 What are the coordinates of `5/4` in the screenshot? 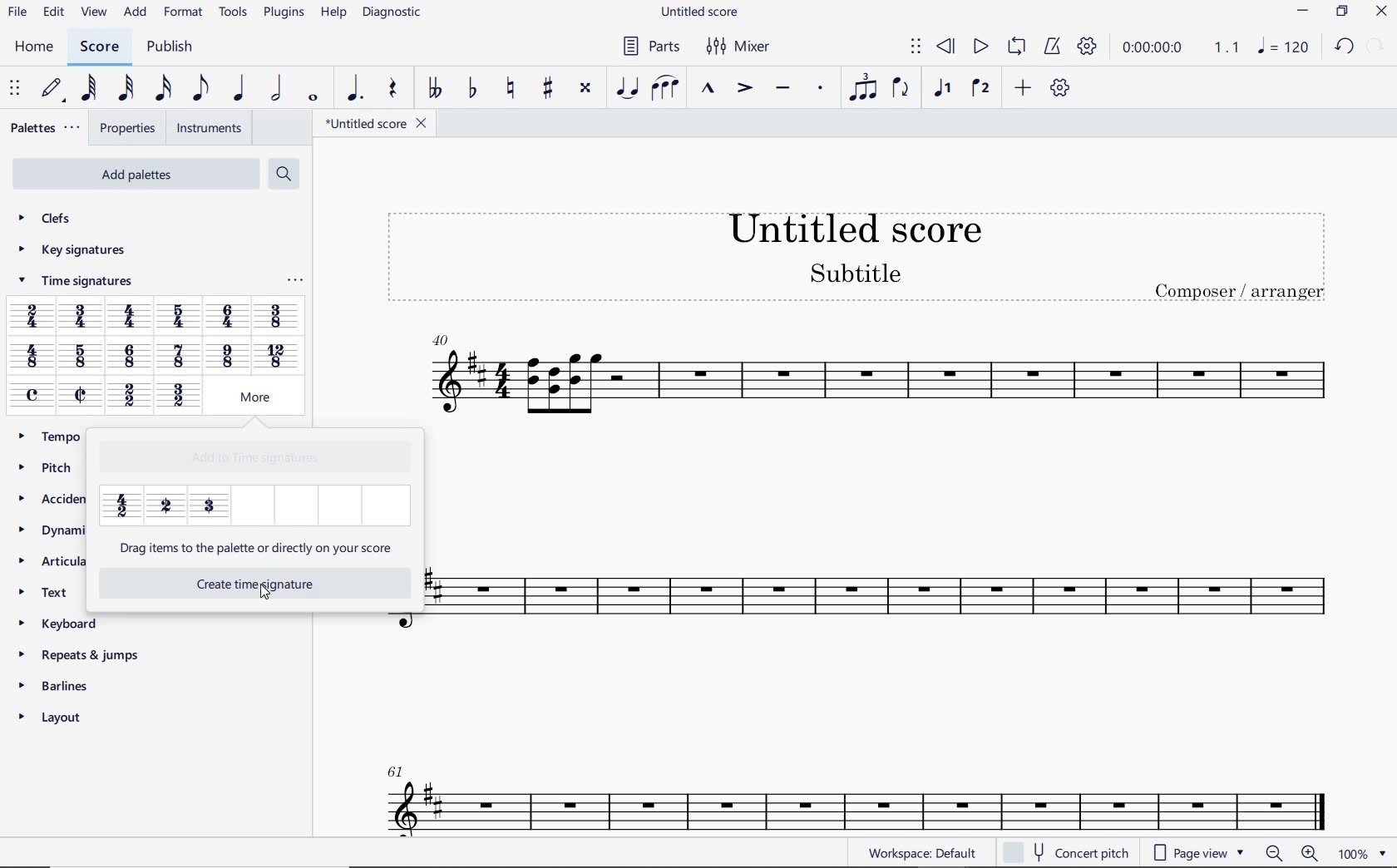 It's located at (182, 316).